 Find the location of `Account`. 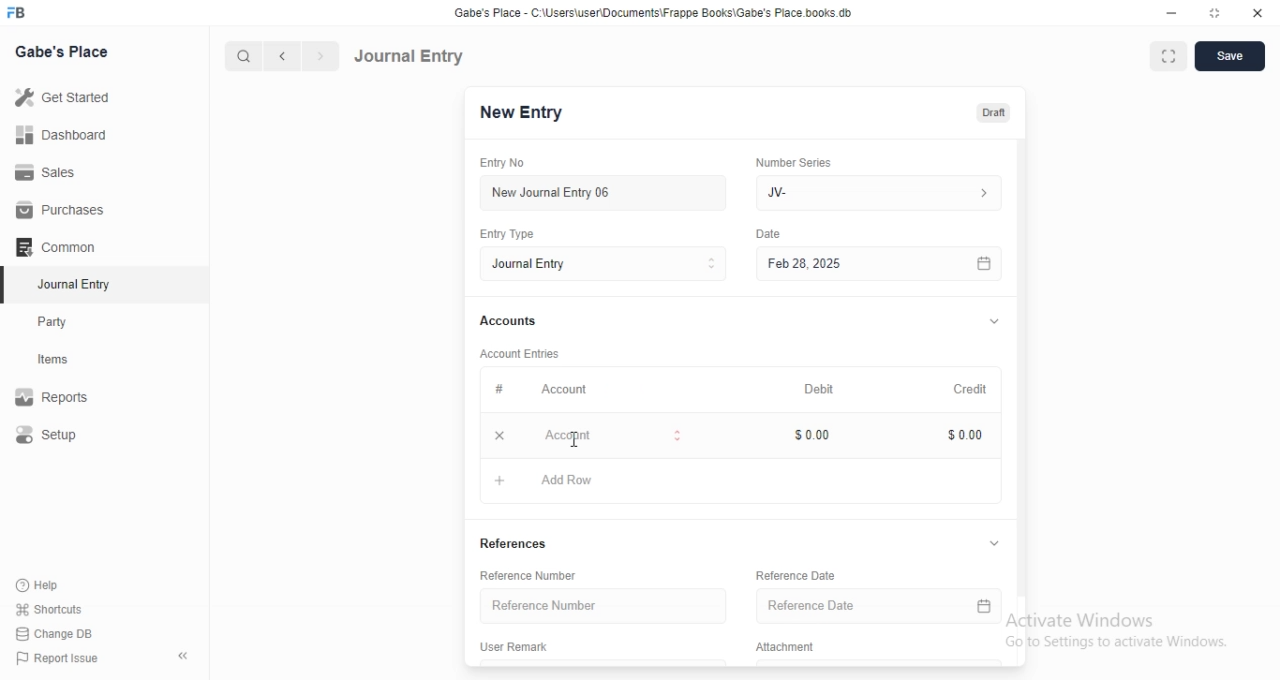

Account is located at coordinates (607, 437).